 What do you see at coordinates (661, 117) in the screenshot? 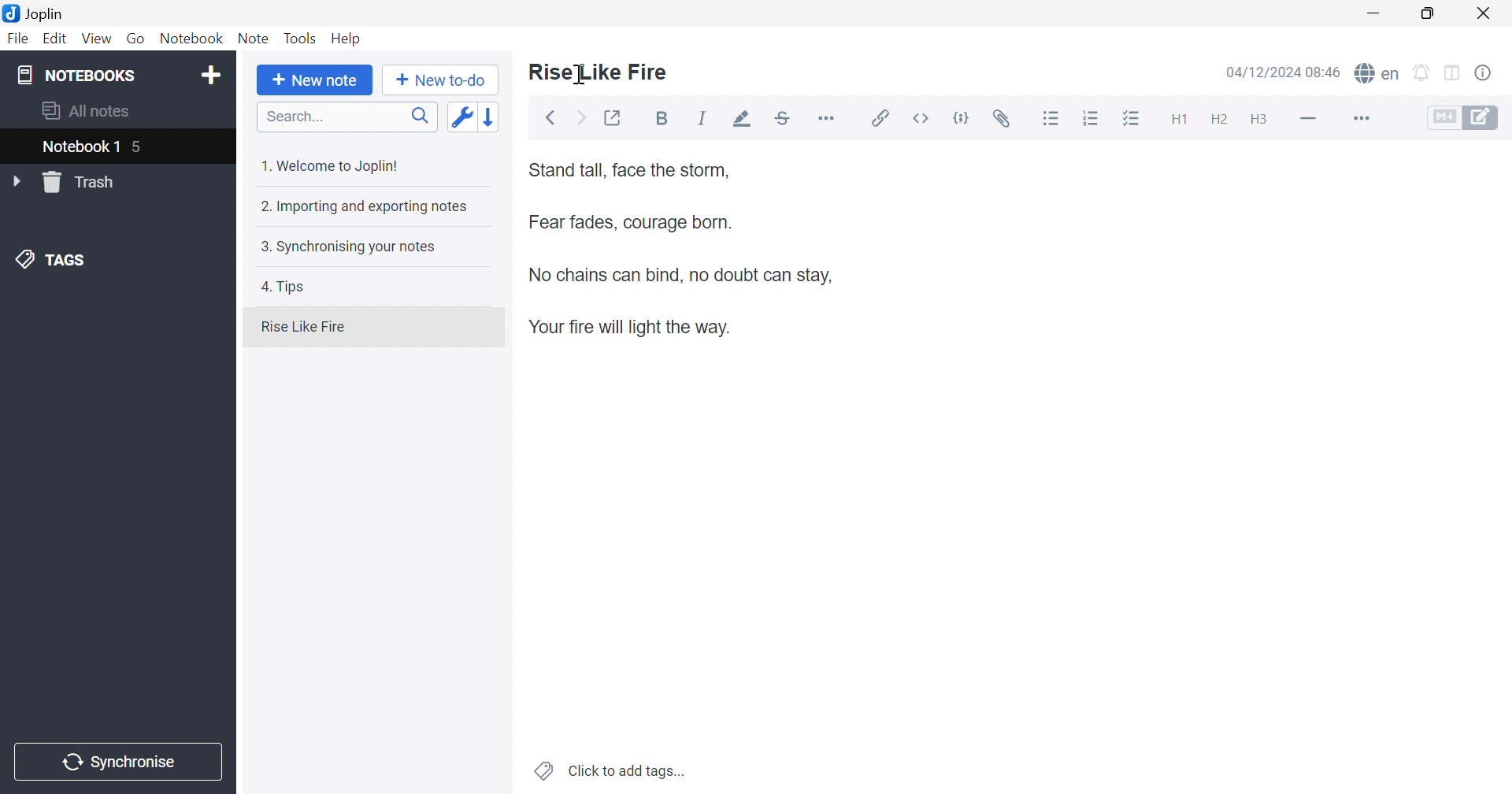
I see `Bold` at bounding box center [661, 117].